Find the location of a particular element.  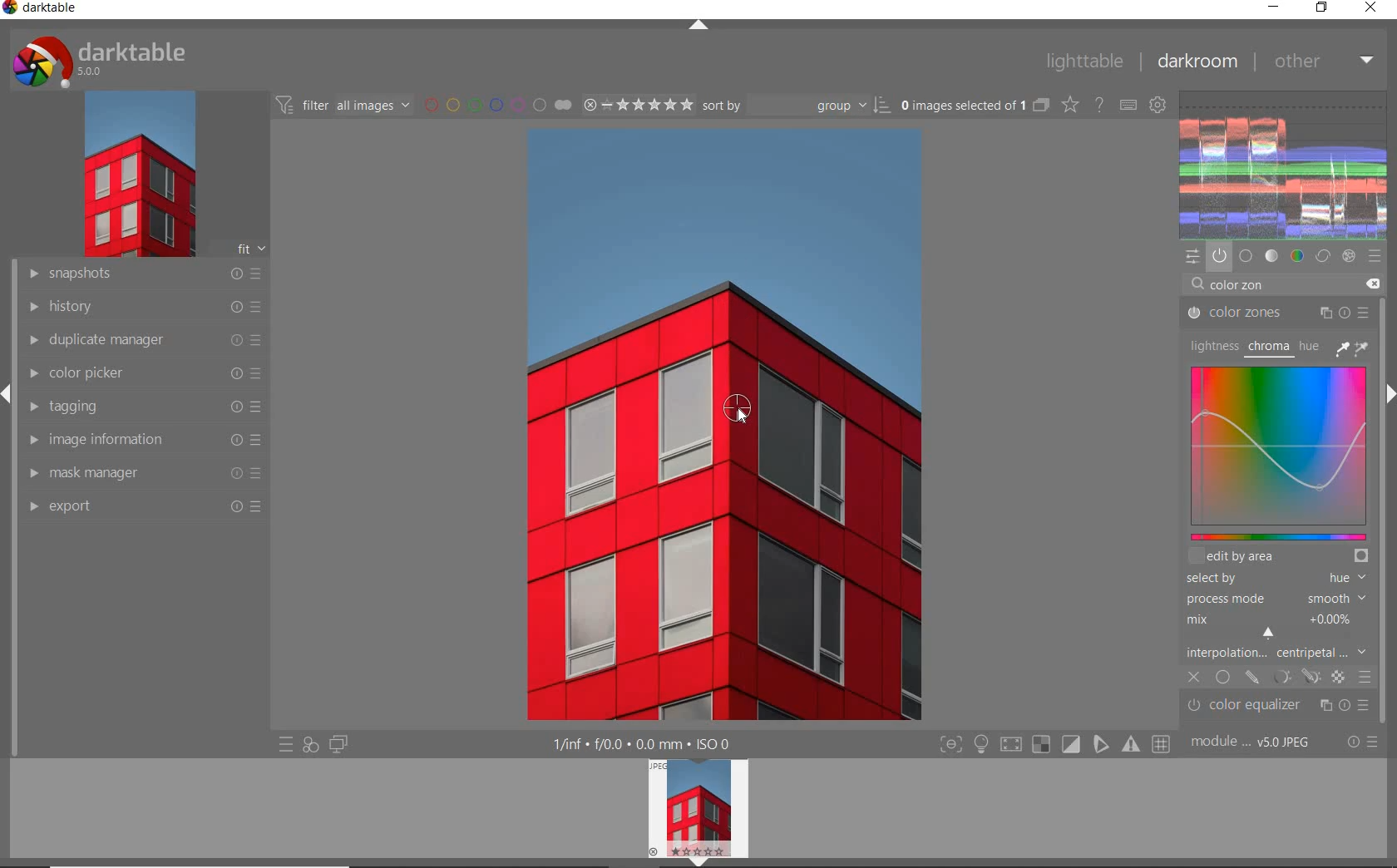

filter by image color label is located at coordinates (497, 105).